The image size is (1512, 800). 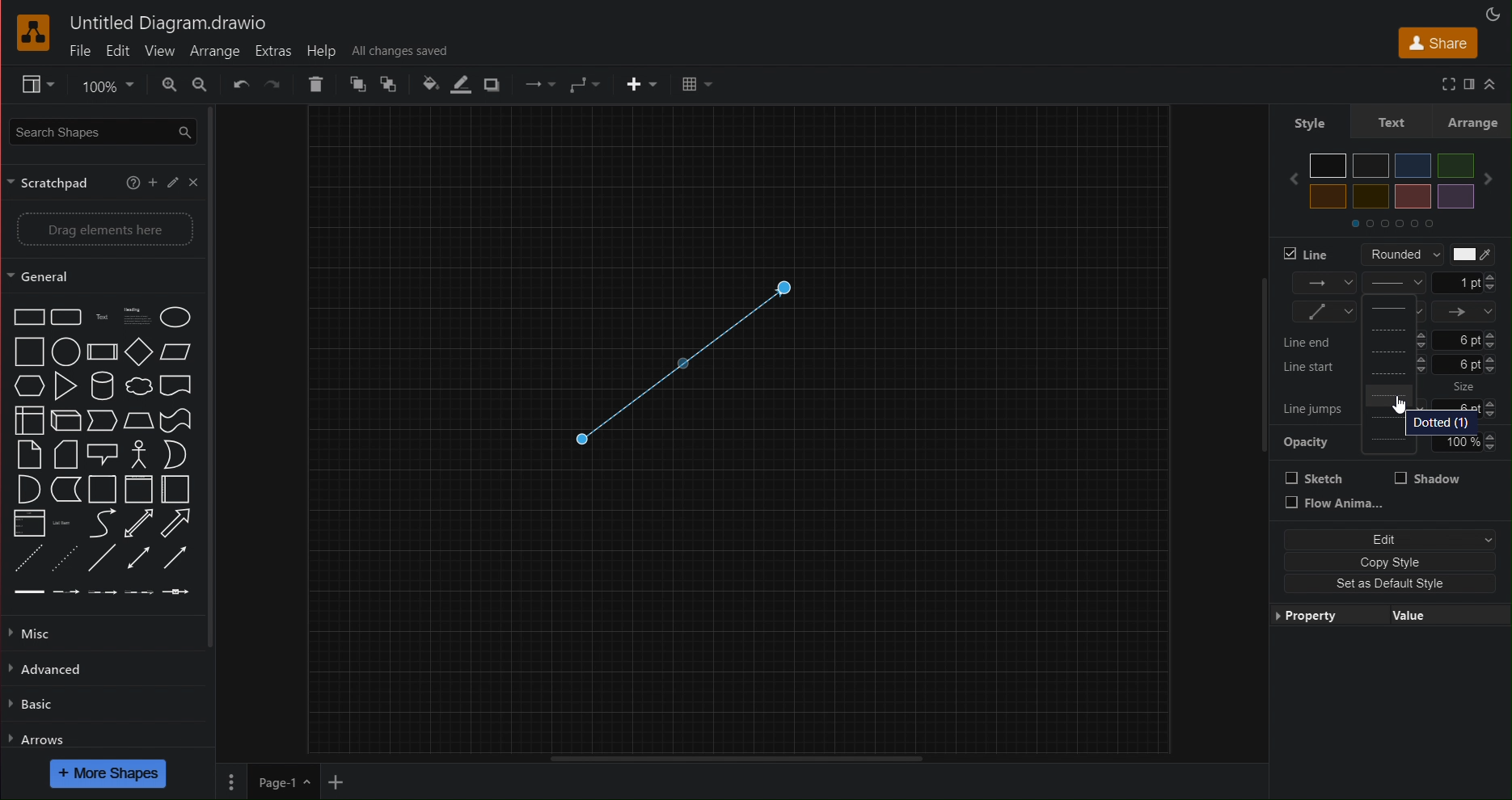 I want to click on options, so click(x=230, y=781).